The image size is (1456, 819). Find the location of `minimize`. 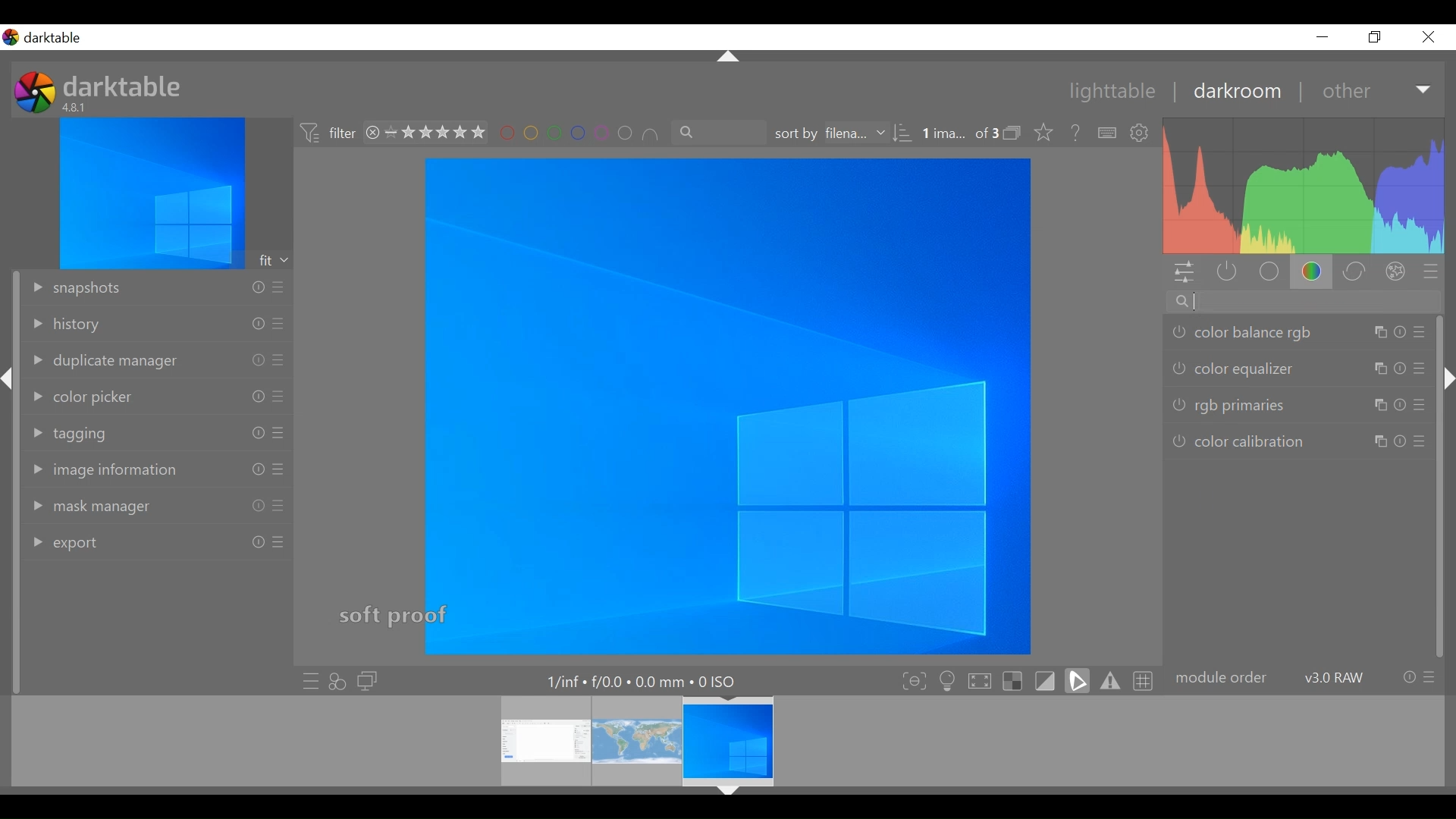

minimize is located at coordinates (1323, 37).